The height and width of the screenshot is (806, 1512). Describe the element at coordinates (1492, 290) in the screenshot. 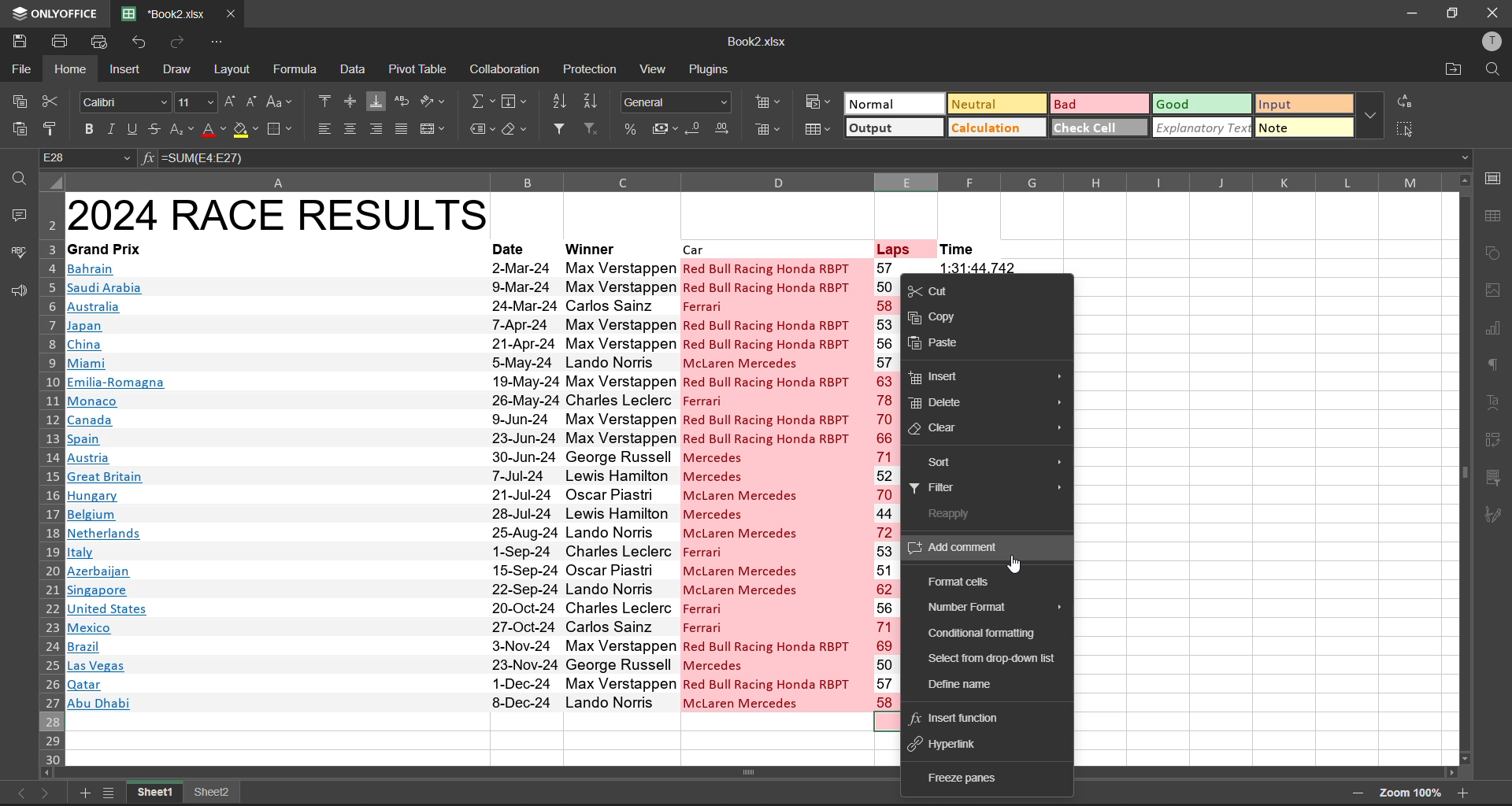

I see `images` at that location.